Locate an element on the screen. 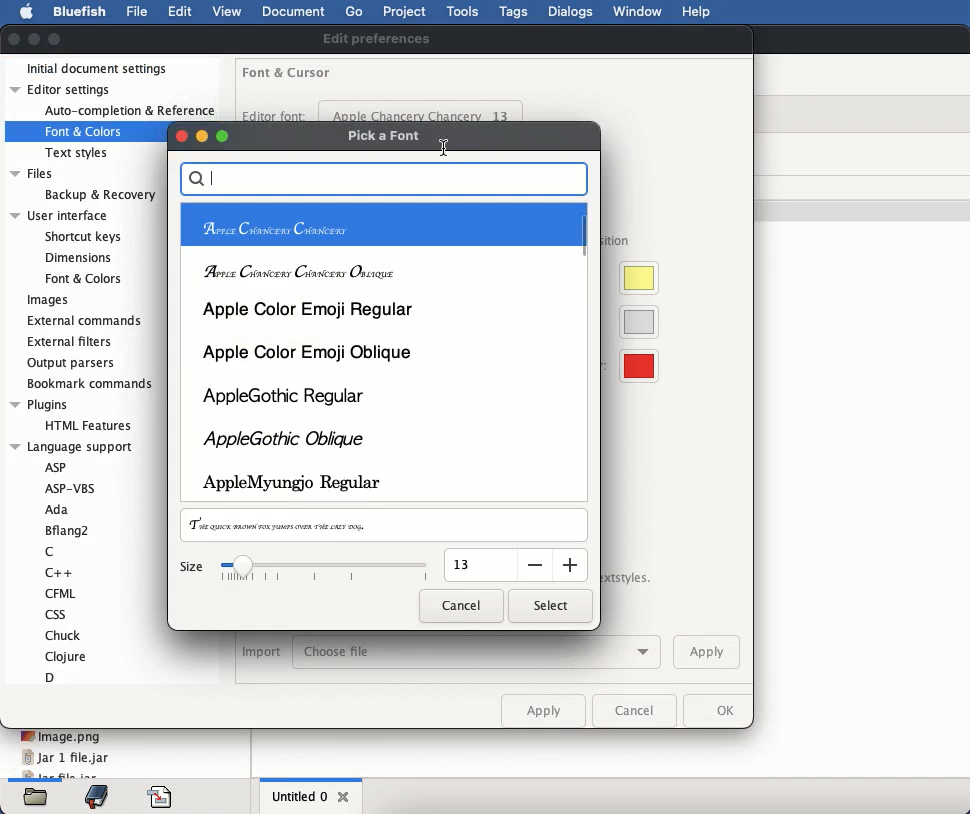 Image resolution: width=970 pixels, height=814 pixels. apple chancery chancery  is located at coordinates (424, 112).